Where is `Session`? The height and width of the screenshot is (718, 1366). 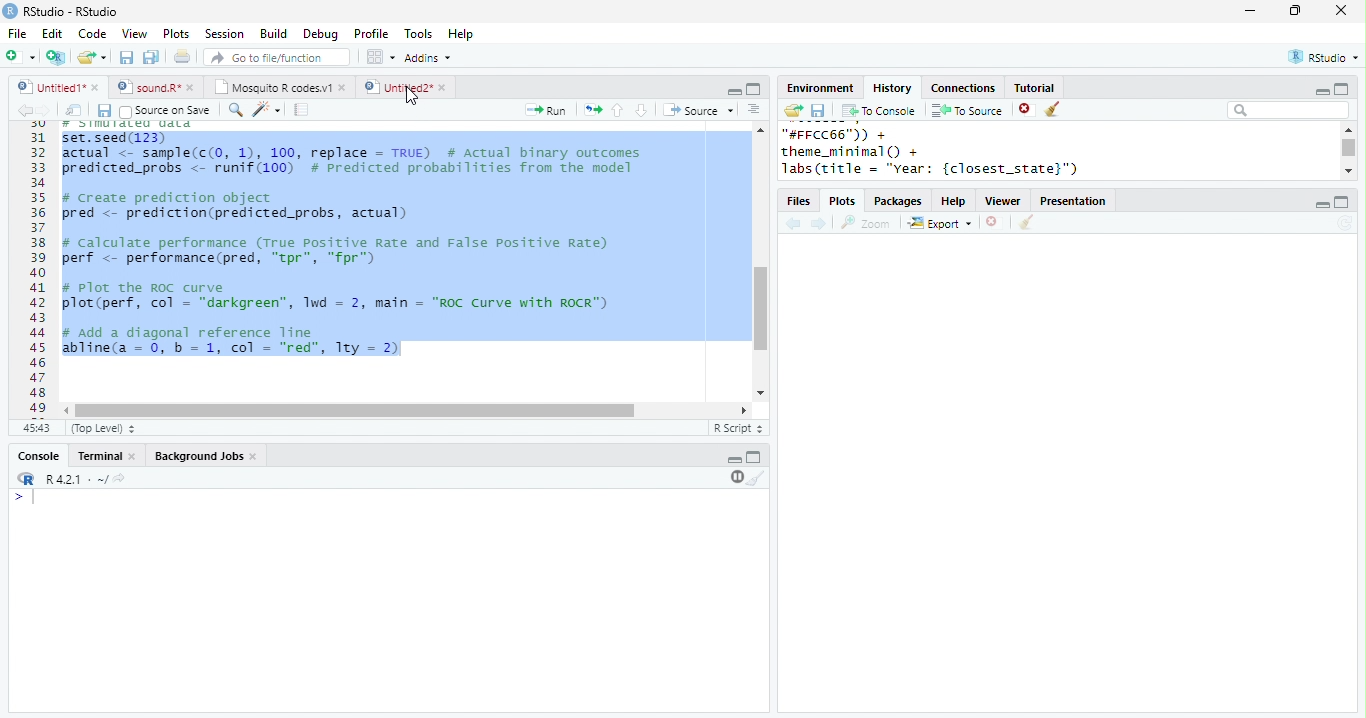 Session is located at coordinates (224, 34).